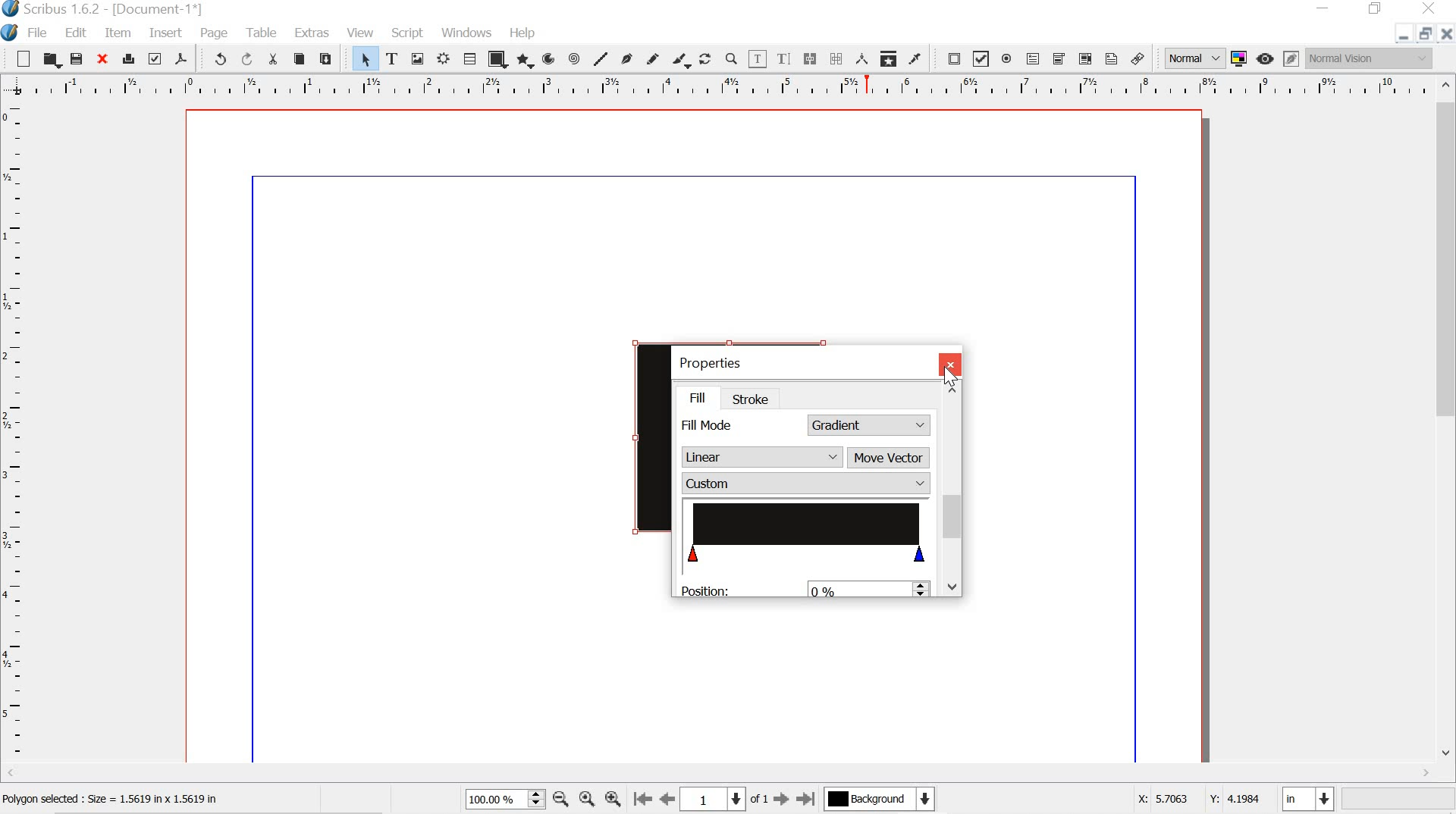 Image resolution: width=1456 pixels, height=814 pixels. I want to click on save, so click(78, 58).